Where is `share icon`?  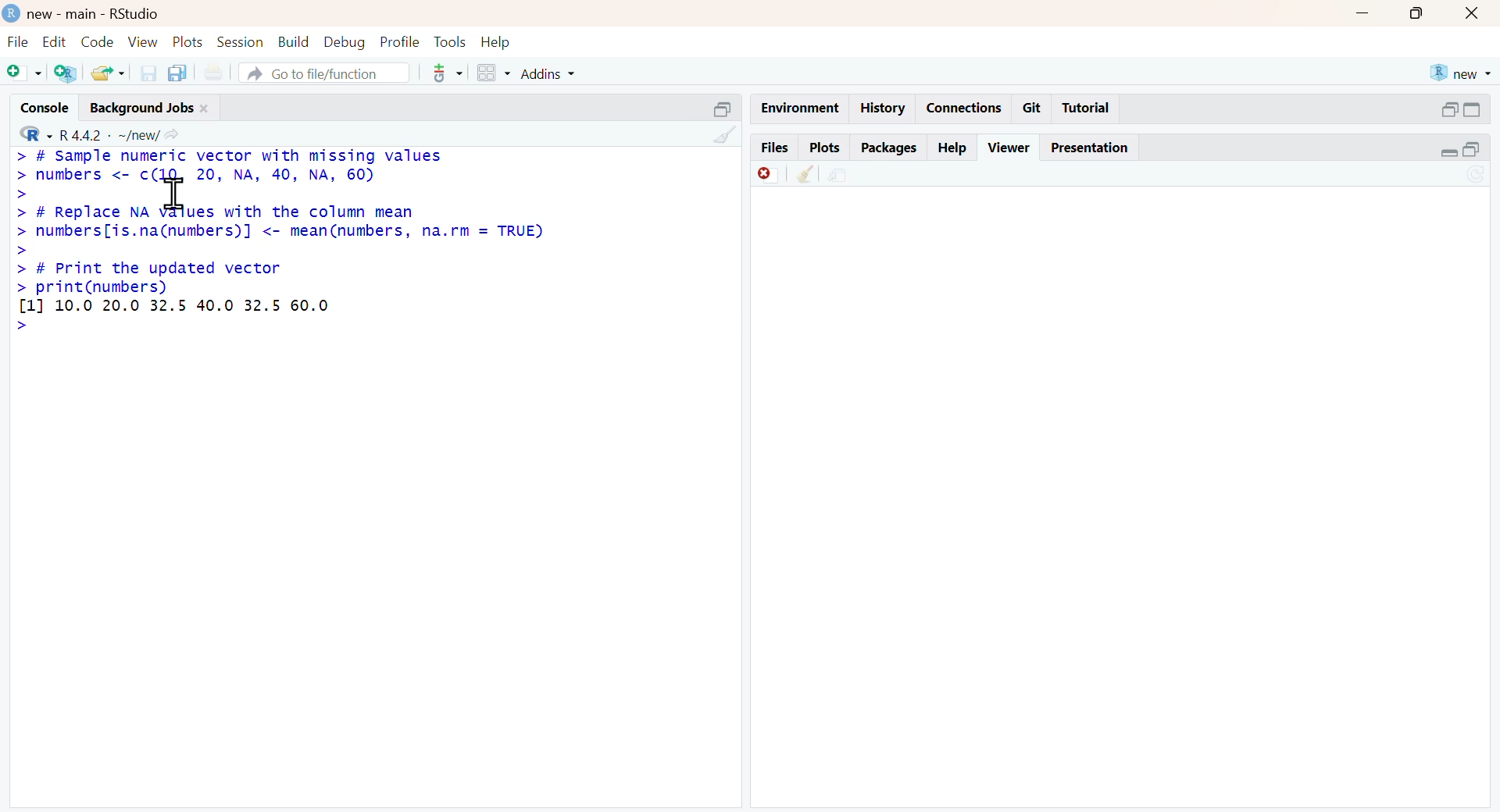
share icon is located at coordinates (171, 135).